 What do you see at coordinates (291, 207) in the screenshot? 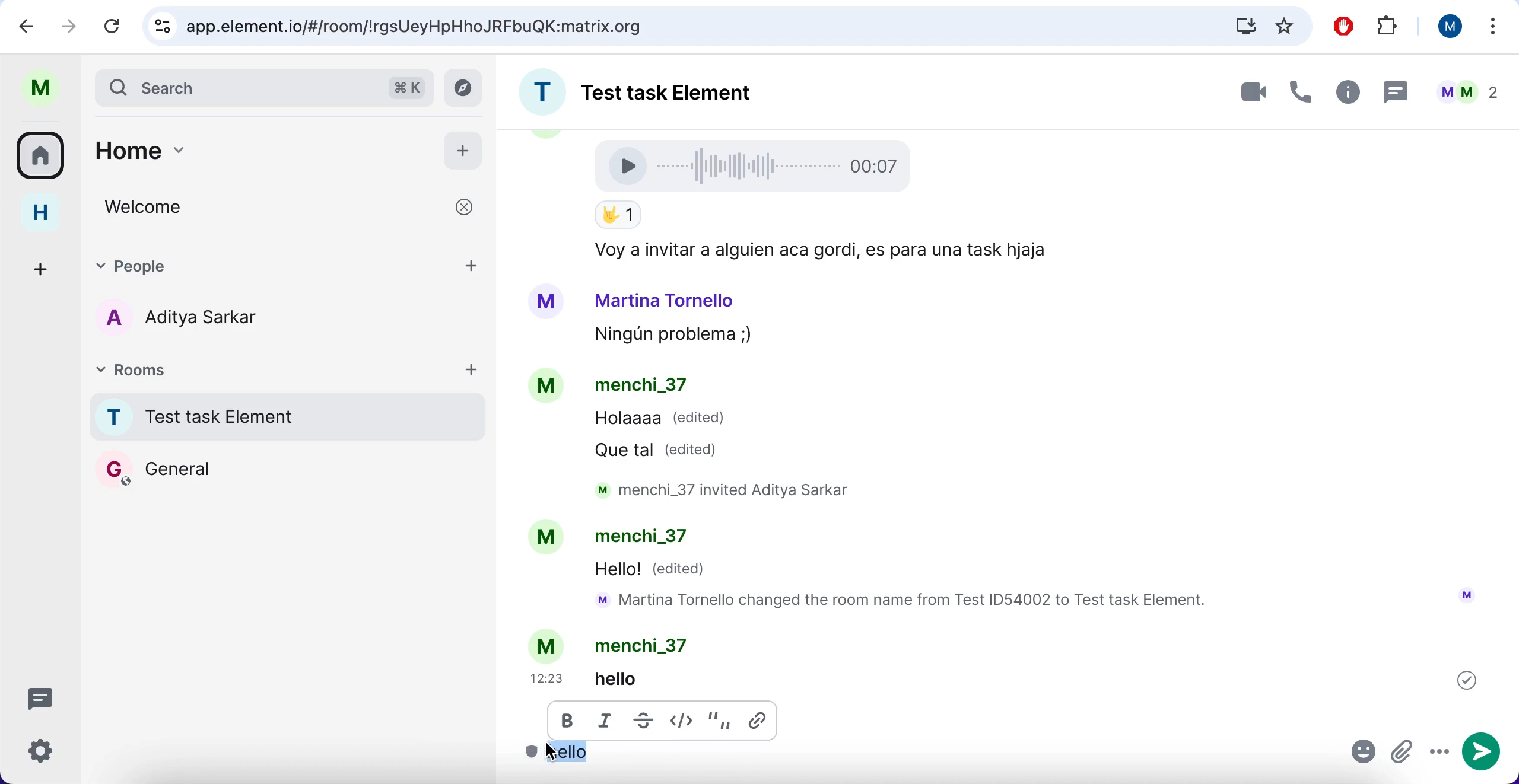
I see `welcome` at bounding box center [291, 207].